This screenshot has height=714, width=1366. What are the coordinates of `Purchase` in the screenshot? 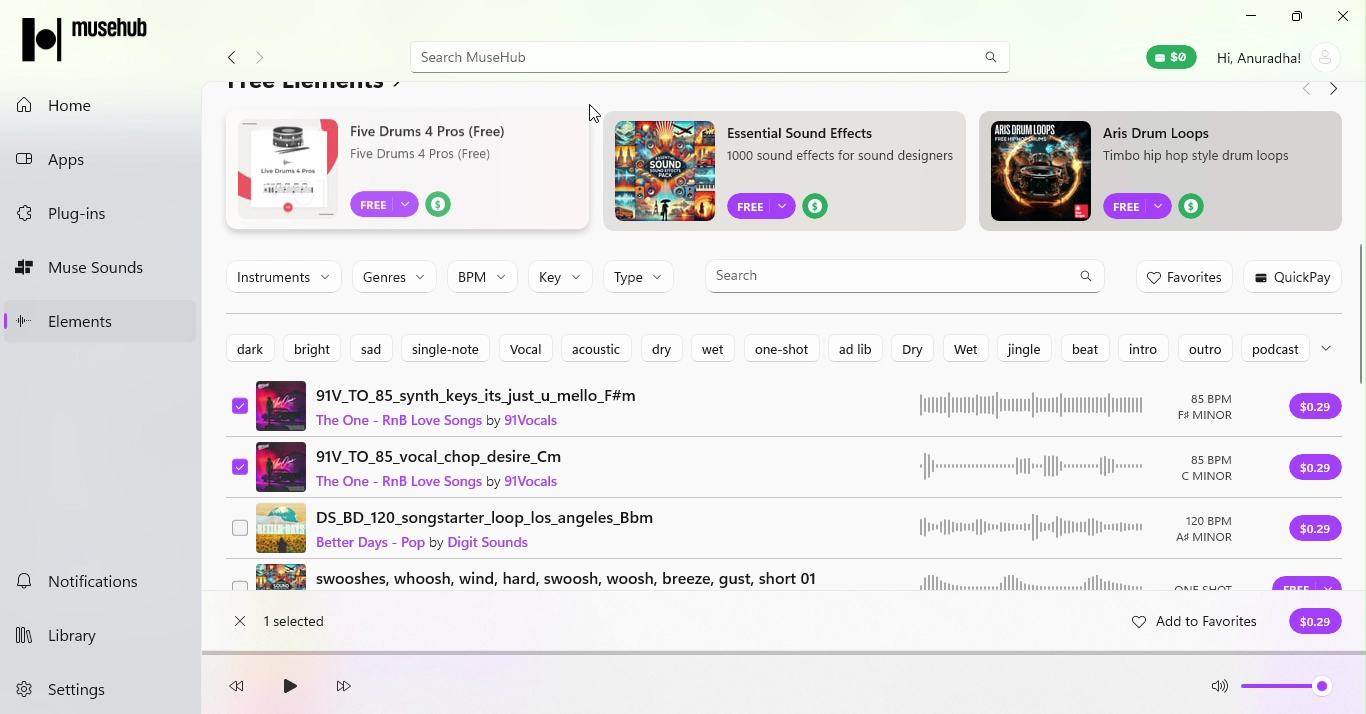 It's located at (1317, 469).